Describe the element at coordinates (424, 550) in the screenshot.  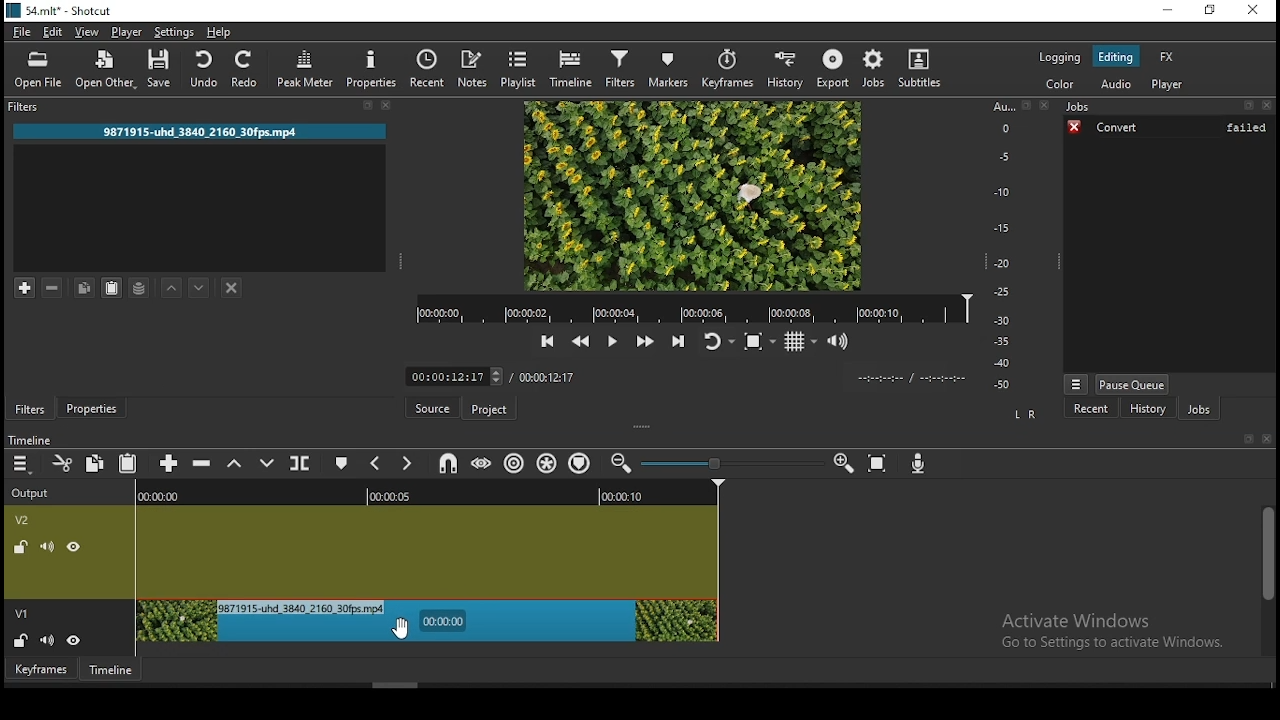
I see `video track` at that location.